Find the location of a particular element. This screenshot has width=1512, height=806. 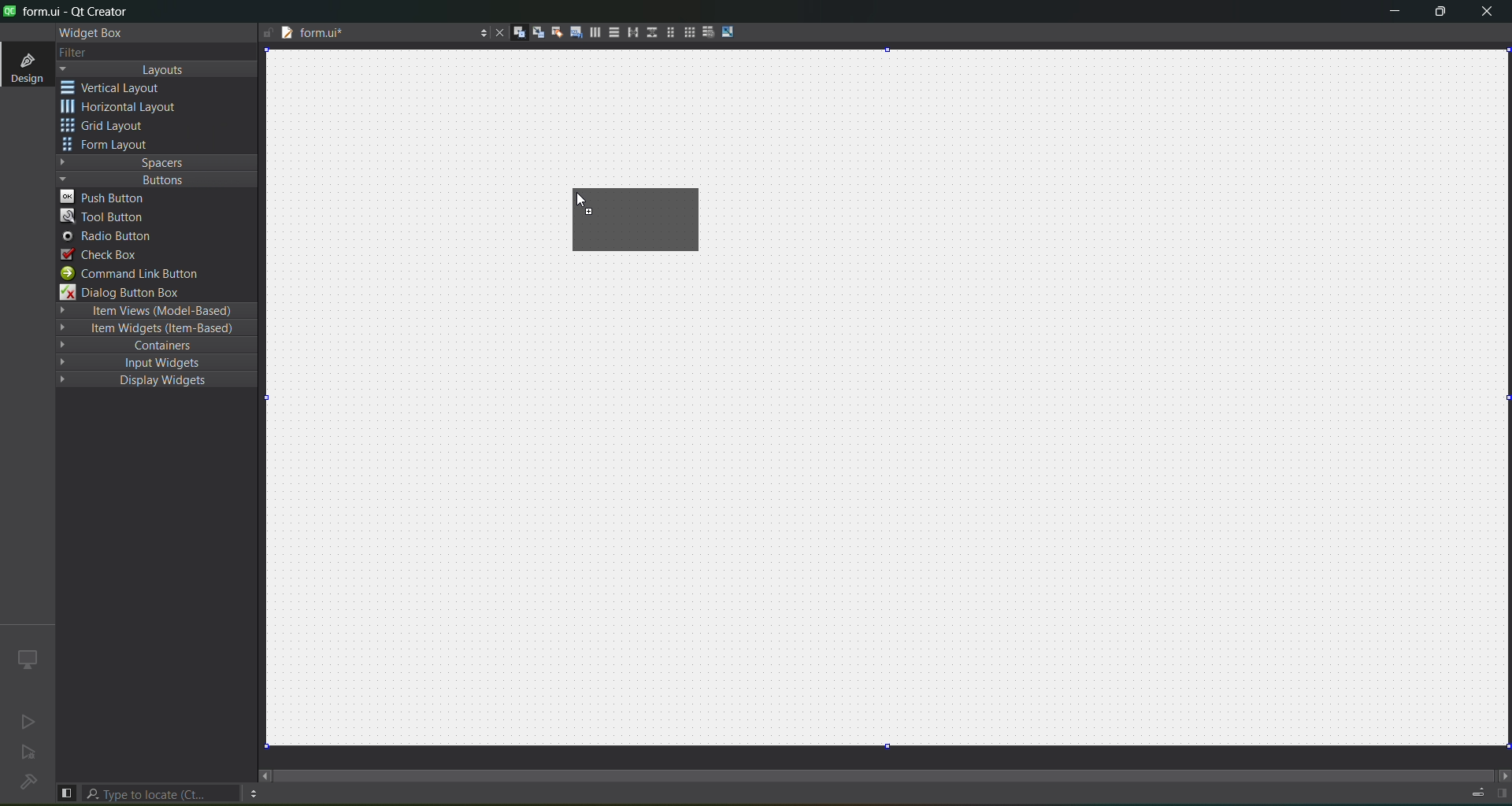

no project loading is located at coordinates (25, 783).